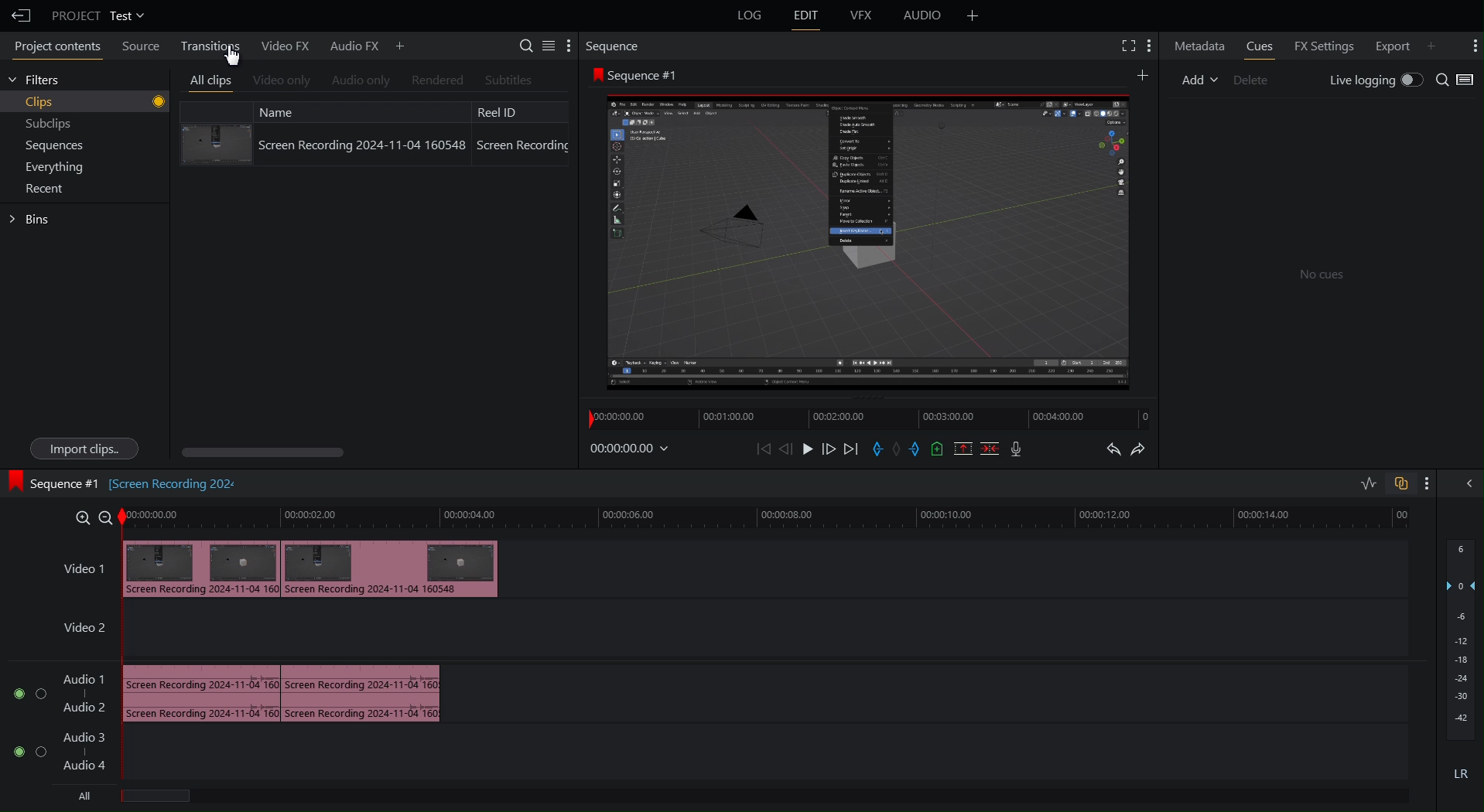 The height and width of the screenshot is (812, 1484). I want to click on Skip Back, so click(762, 449).